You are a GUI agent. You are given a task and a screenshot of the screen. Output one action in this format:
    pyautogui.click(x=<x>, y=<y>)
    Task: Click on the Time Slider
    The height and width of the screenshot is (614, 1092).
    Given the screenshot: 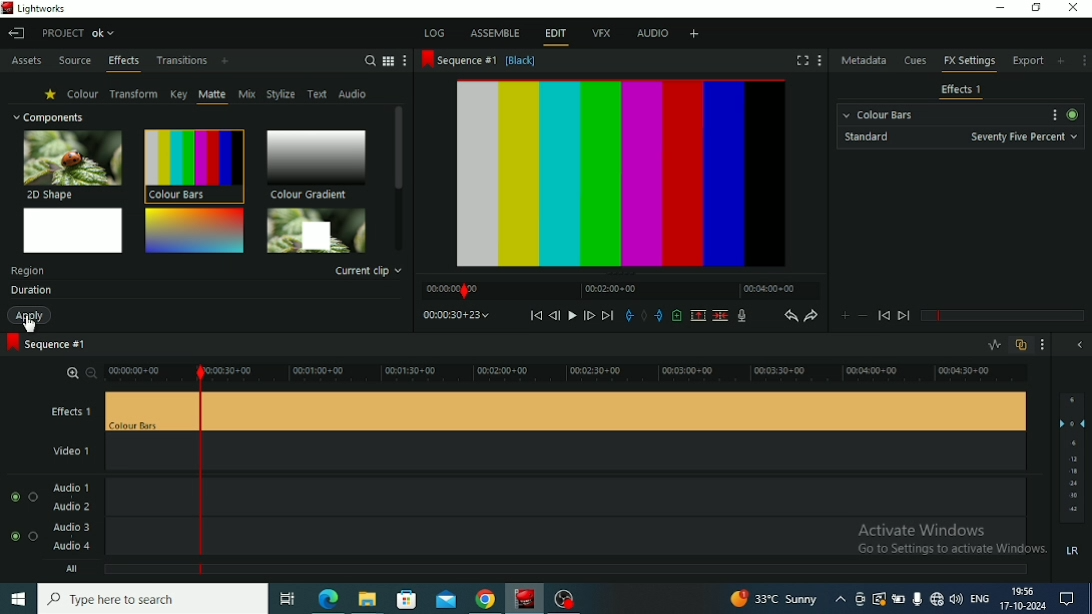 What is the action you would take?
    pyautogui.click(x=620, y=290)
    